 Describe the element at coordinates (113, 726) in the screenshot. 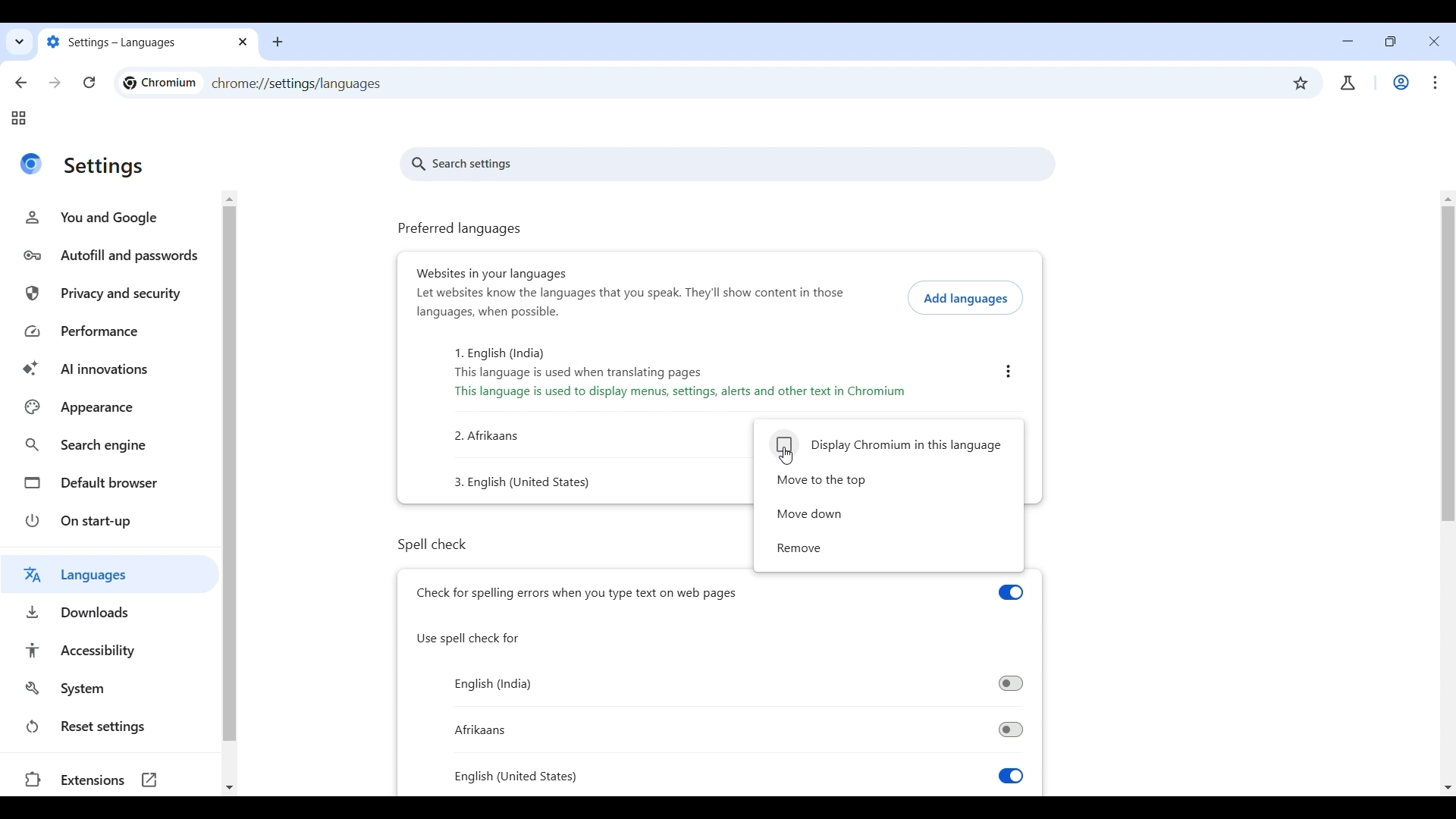

I see `Reset settings` at that location.